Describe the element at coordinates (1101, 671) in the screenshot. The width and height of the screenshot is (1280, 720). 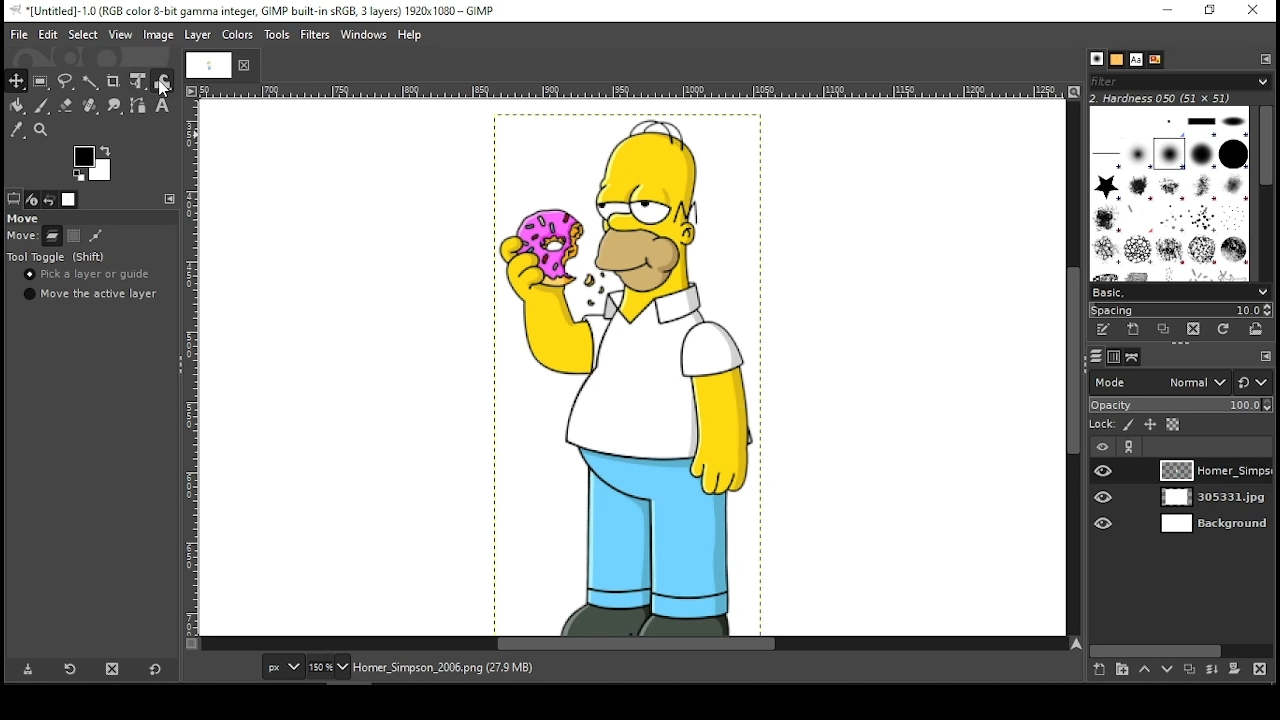
I see `create a new layer` at that location.